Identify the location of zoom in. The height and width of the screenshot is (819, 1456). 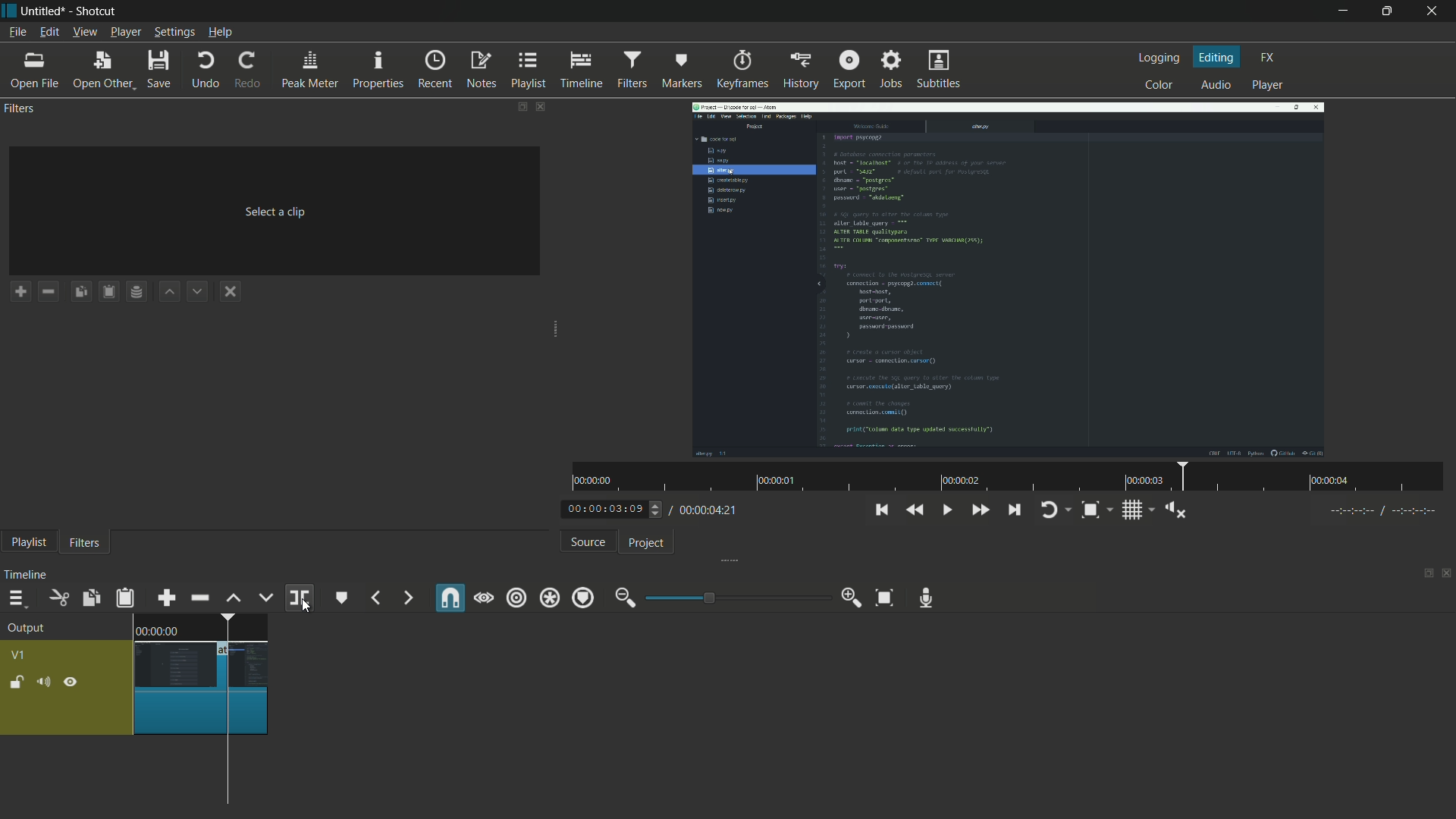
(850, 600).